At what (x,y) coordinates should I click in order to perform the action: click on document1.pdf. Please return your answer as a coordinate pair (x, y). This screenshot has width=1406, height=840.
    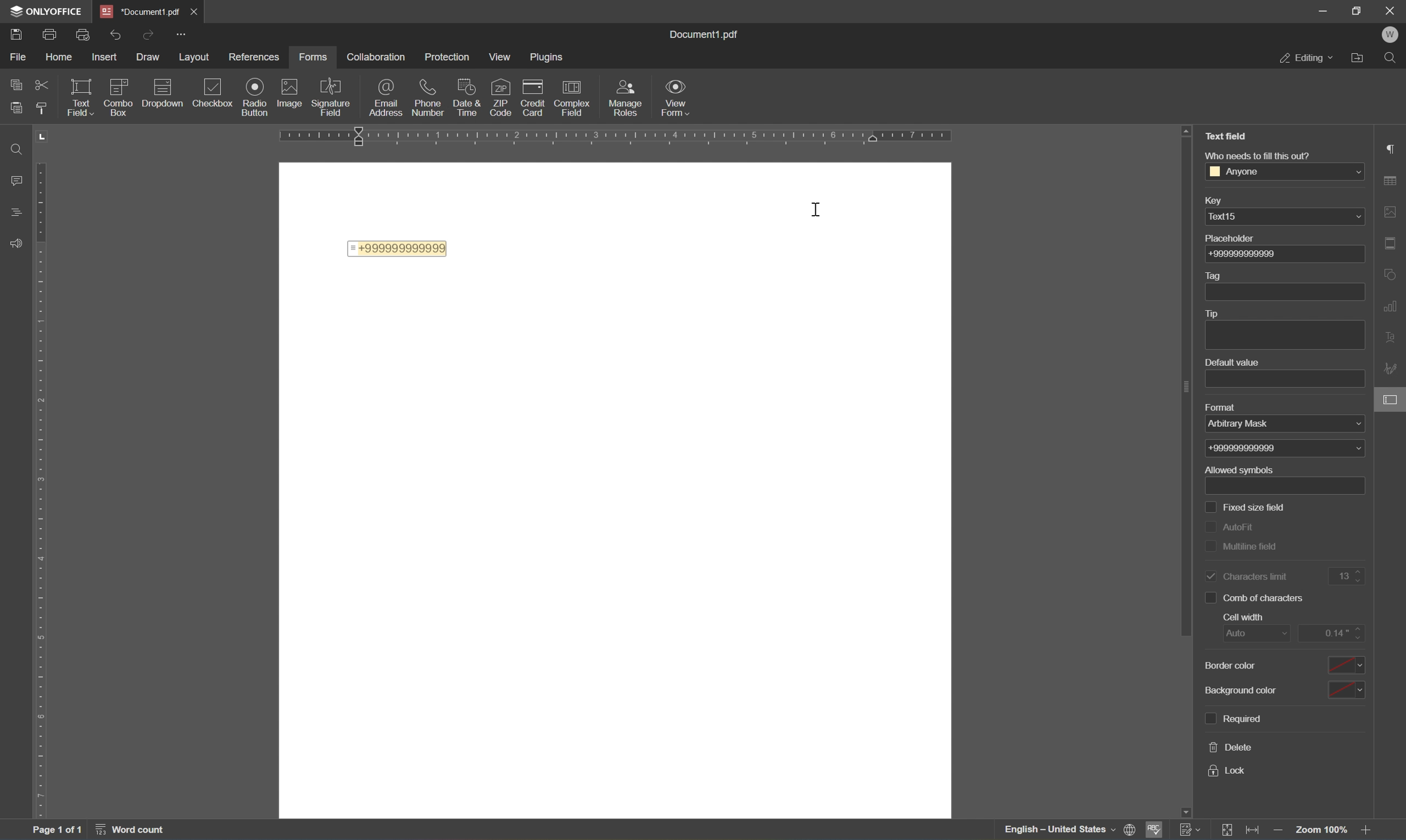
    Looking at the image, I should click on (708, 34).